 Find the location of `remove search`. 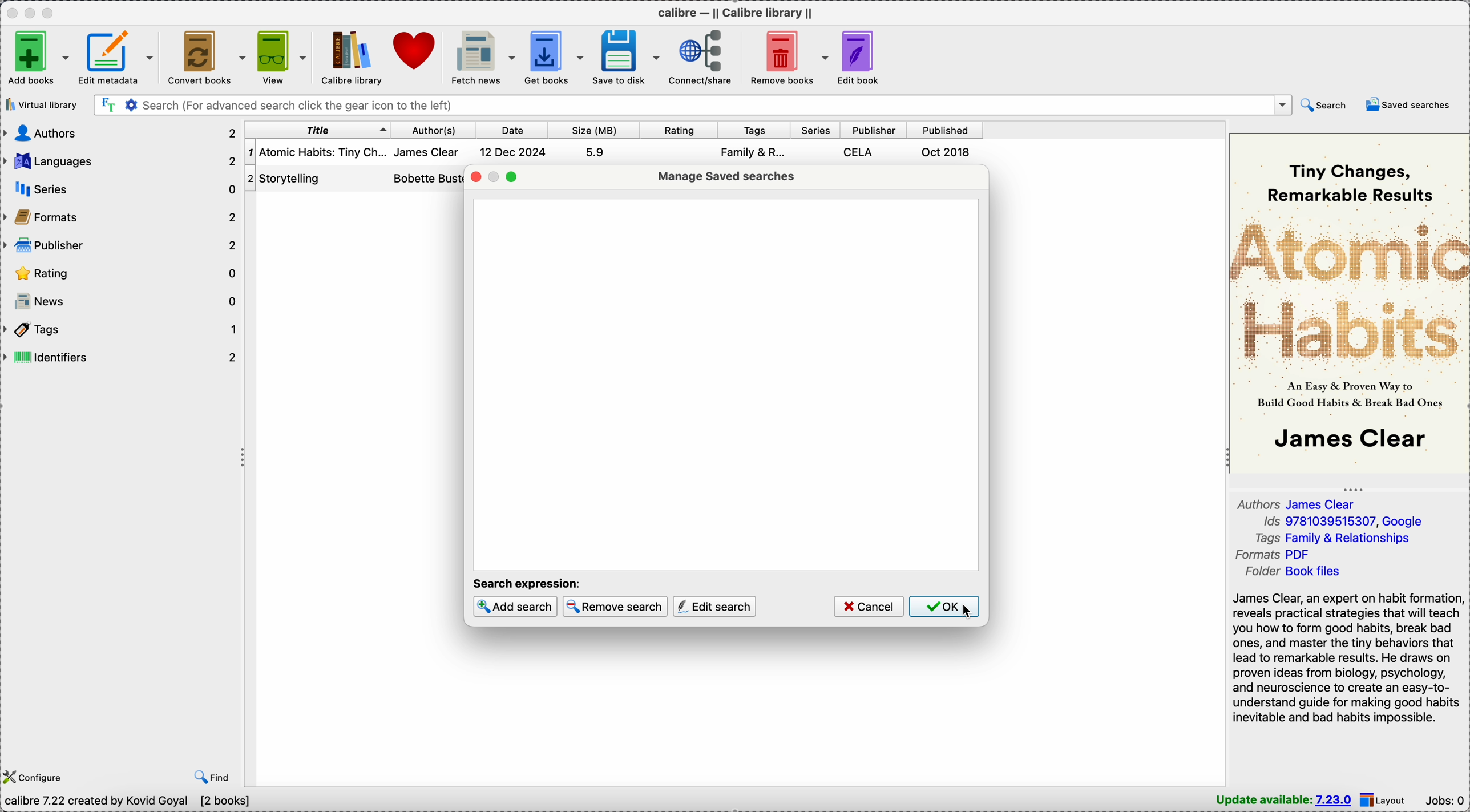

remove search is located at coordinates (613, 607).